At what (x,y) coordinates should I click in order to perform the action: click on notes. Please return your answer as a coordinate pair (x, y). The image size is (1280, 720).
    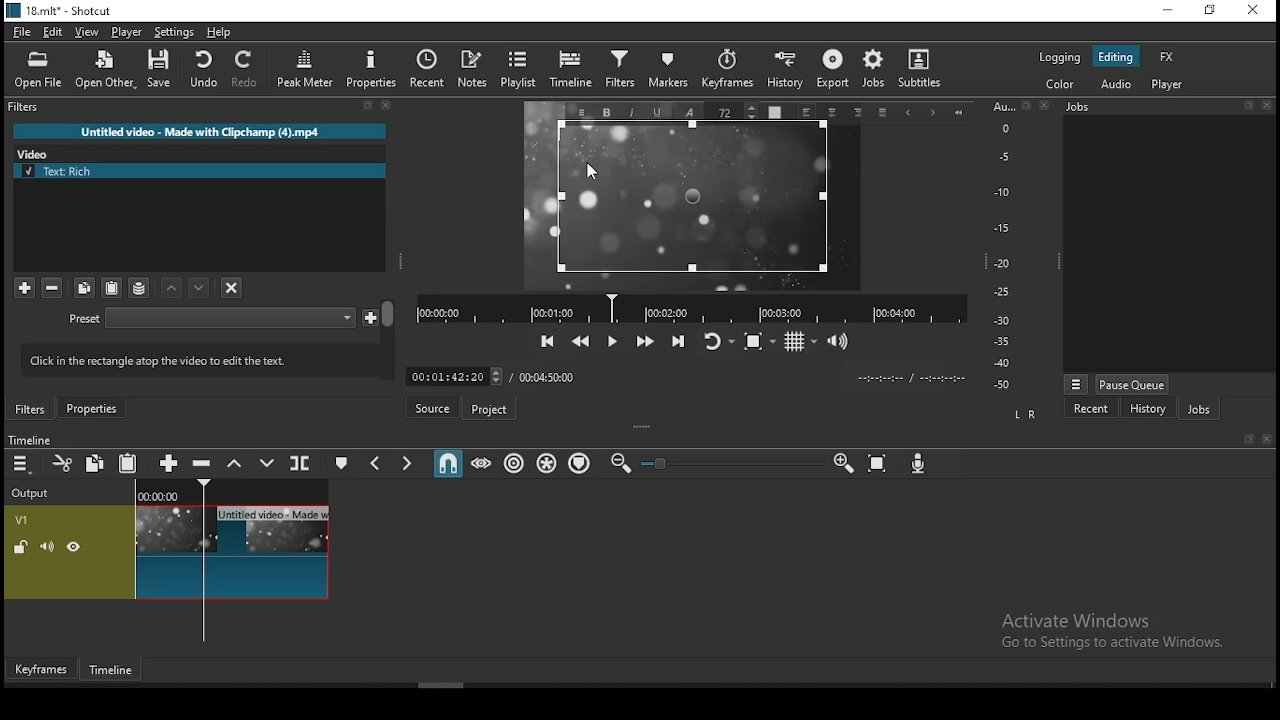
    Looking at the image, I should click on (473, 70).